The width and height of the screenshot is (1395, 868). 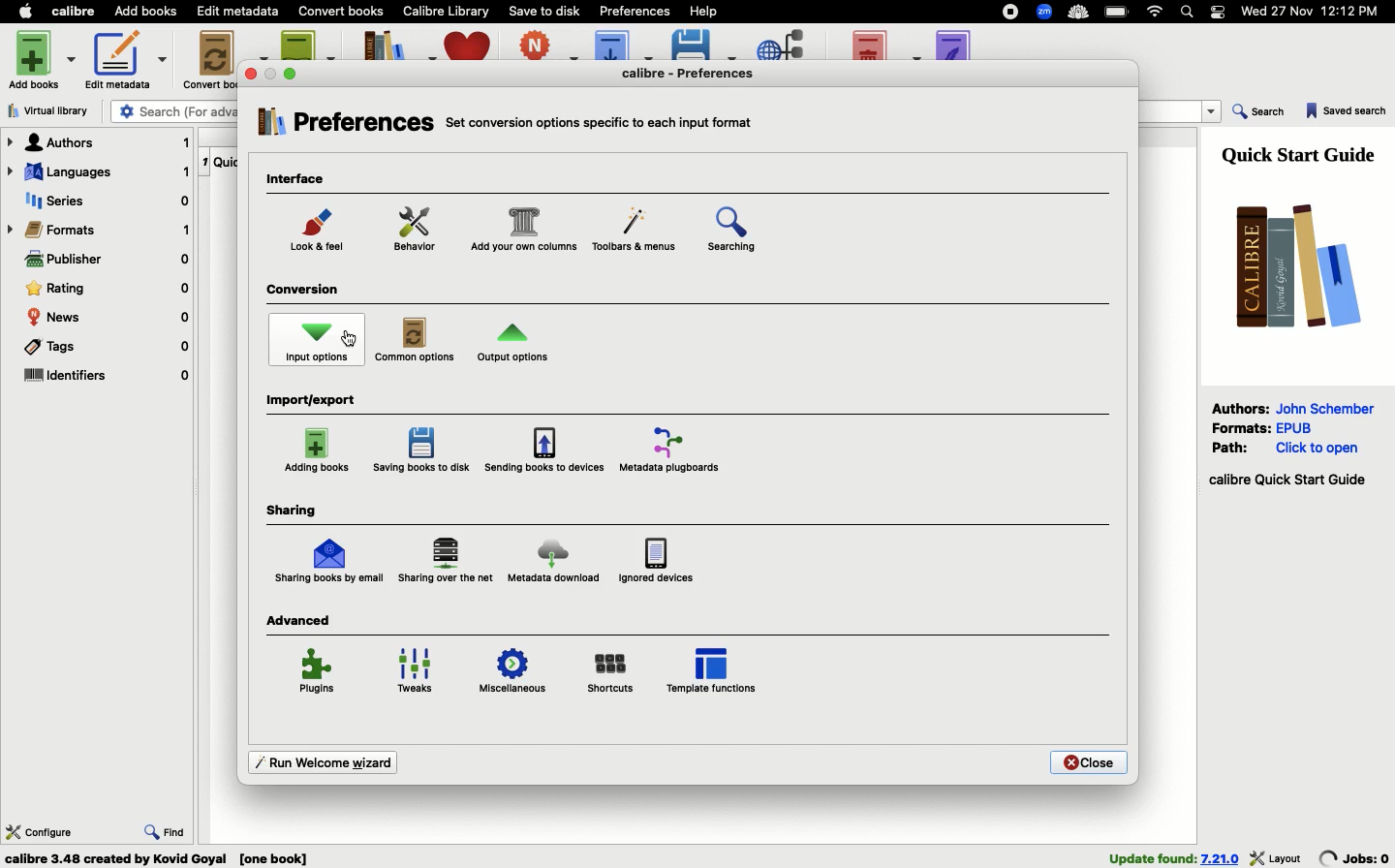 What do you see at coordinates (1294, 427) in the screenshot?
I see `epub` at bounding box center [1294, 427].